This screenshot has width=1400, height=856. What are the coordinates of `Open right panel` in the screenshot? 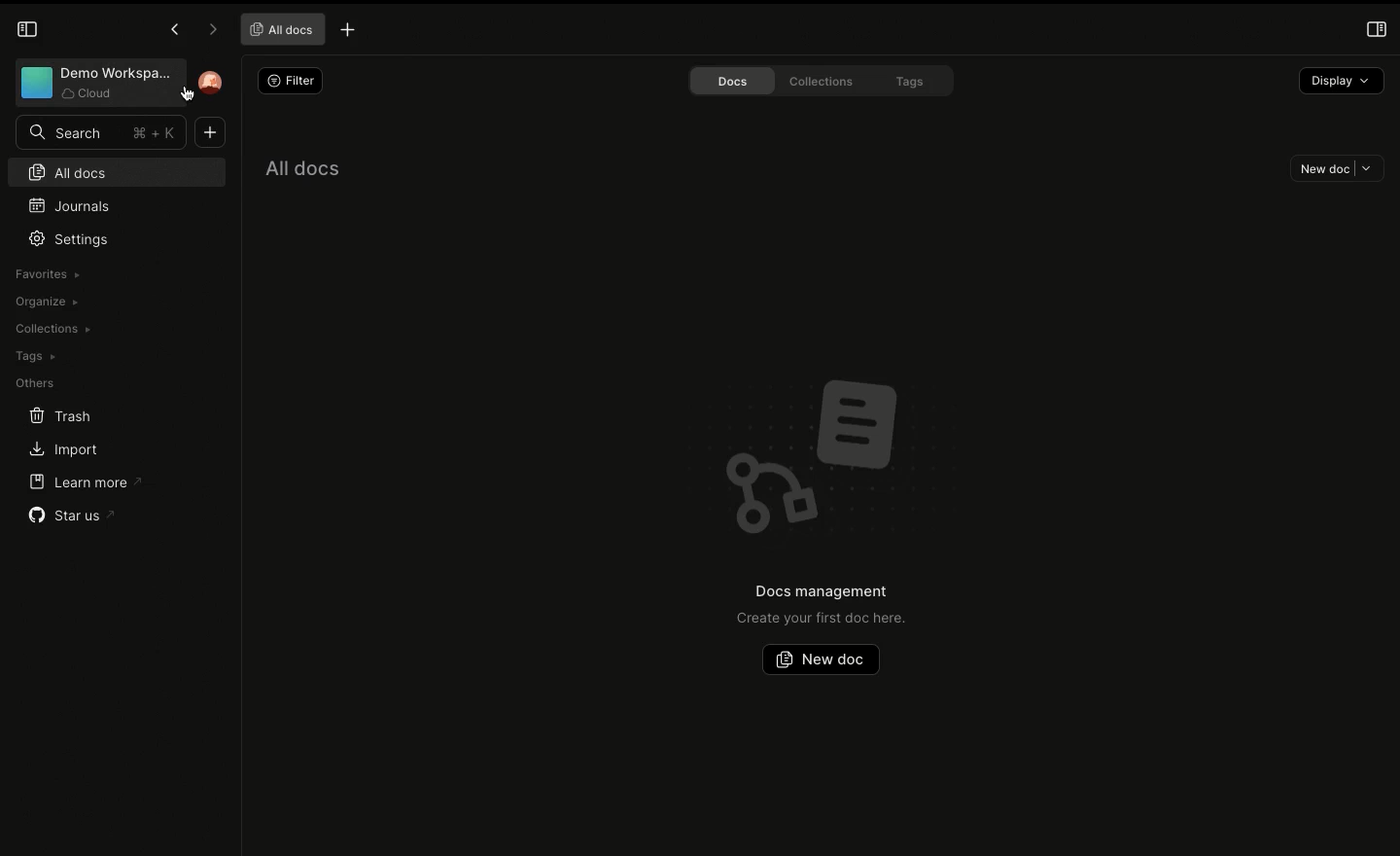 It's located at (1376, 29).